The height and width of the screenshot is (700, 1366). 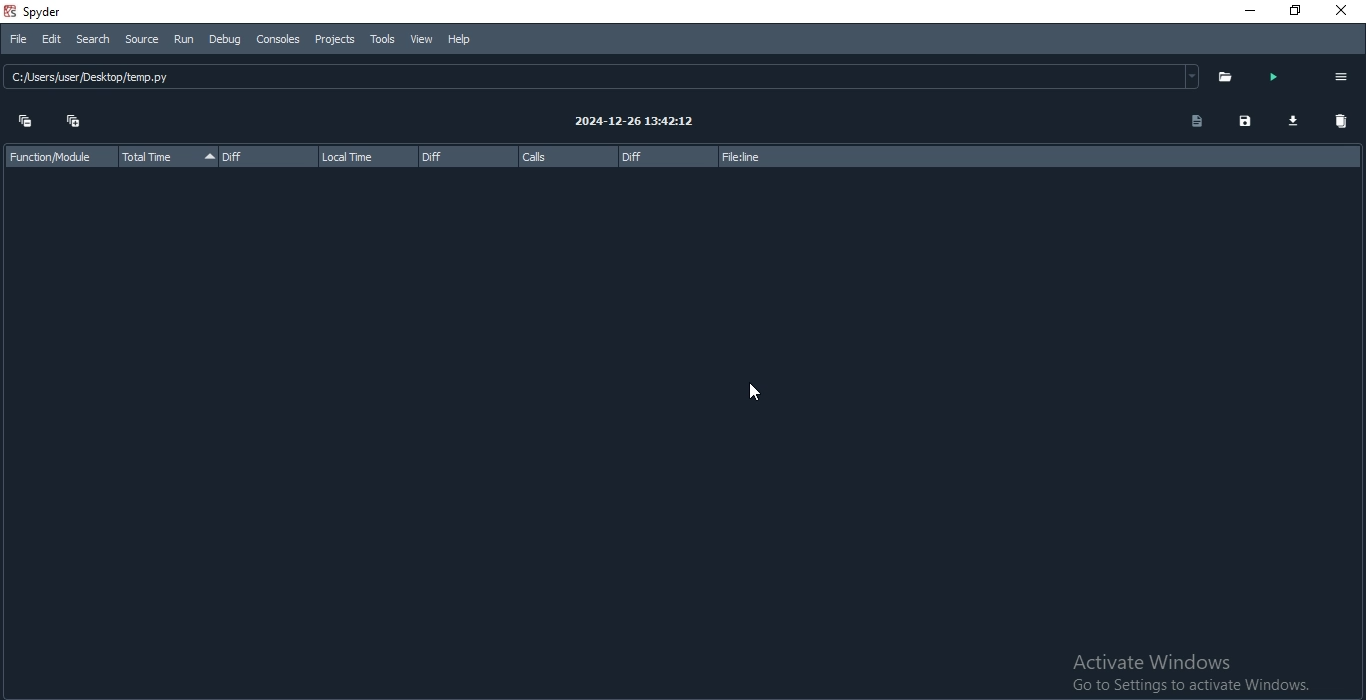 I want to click on cursor, so click(x=755, y=394).